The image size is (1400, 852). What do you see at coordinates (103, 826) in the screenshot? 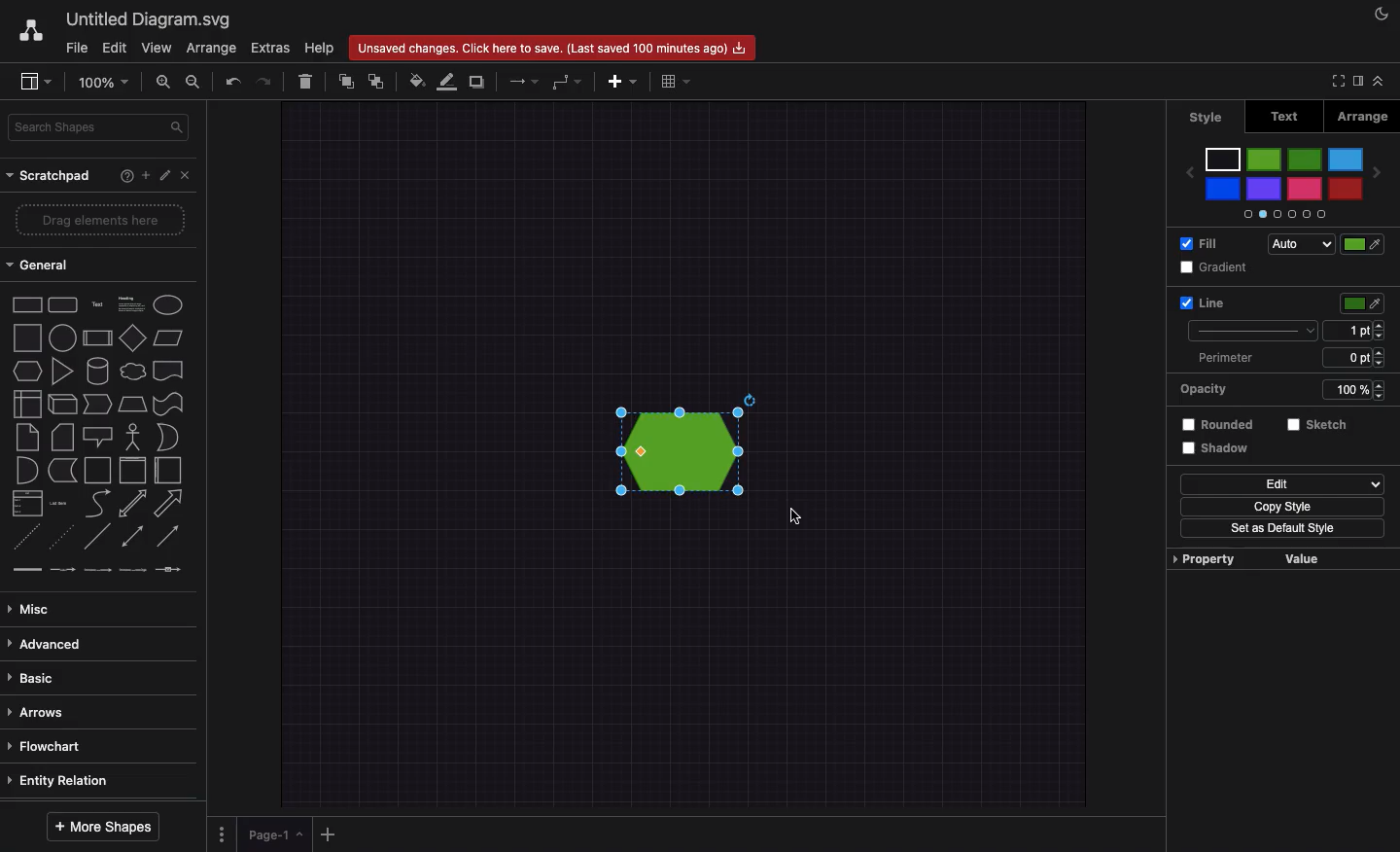
I see `More shapes` at bounding box center [103, 826].